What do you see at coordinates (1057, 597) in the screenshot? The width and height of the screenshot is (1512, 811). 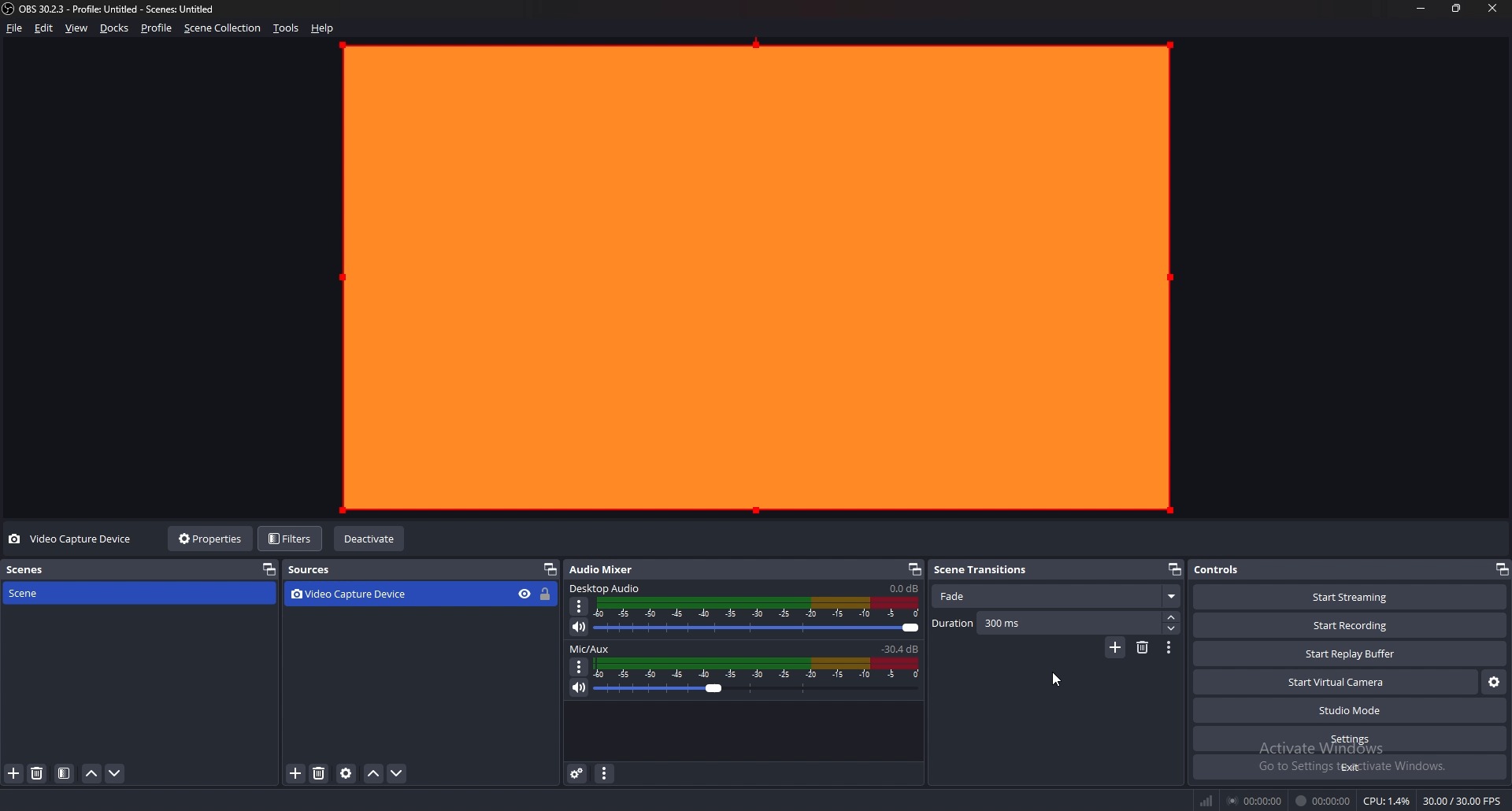 I see `fade` at bounding box center [1057, 597].